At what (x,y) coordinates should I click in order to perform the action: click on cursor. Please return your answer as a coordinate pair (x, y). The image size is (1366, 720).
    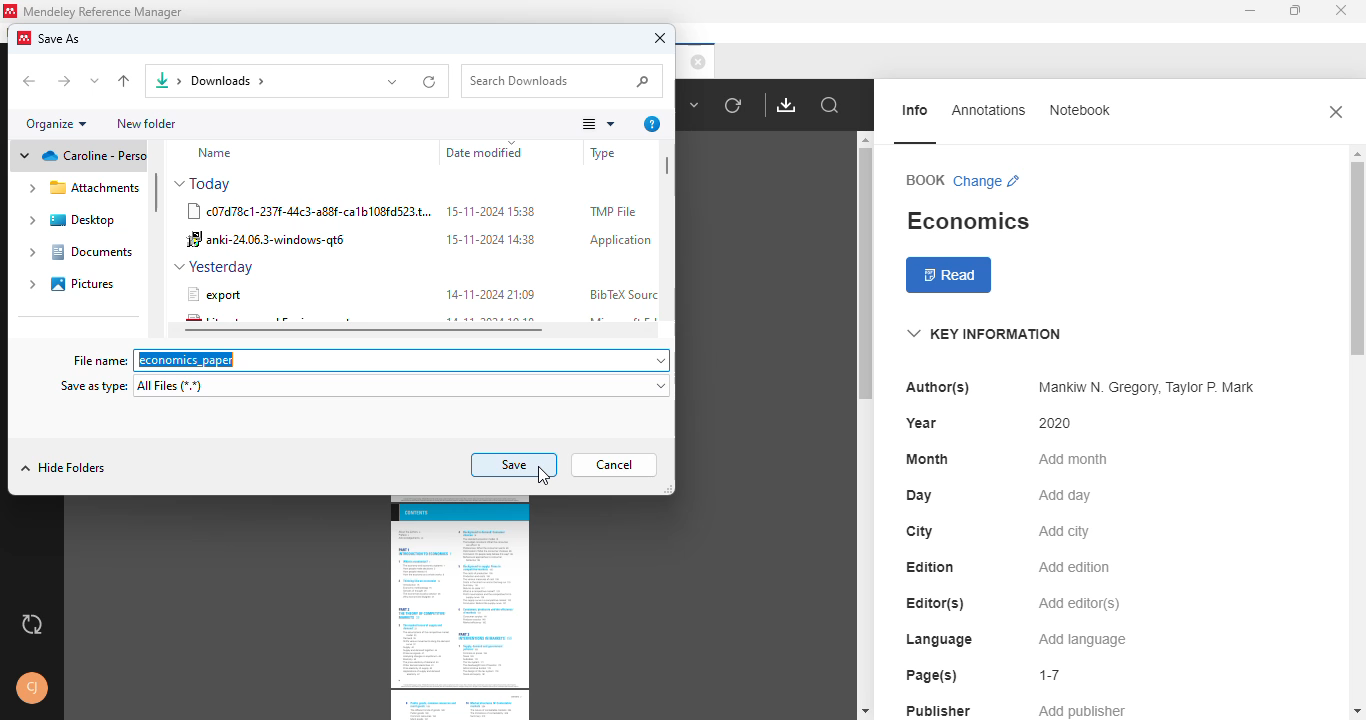
    Looking at the image, I should click on (544, 477).